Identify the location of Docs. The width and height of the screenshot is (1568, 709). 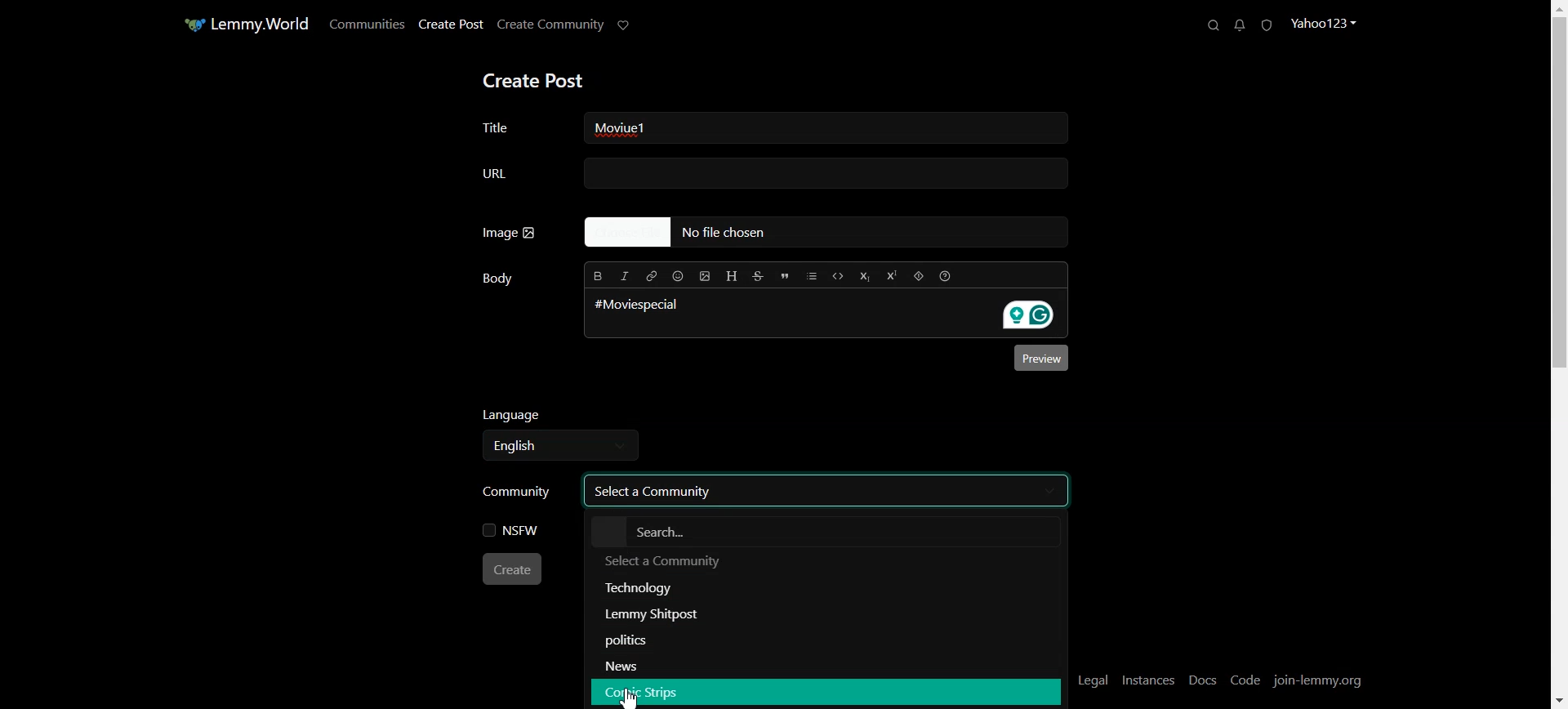
(1206, 680).